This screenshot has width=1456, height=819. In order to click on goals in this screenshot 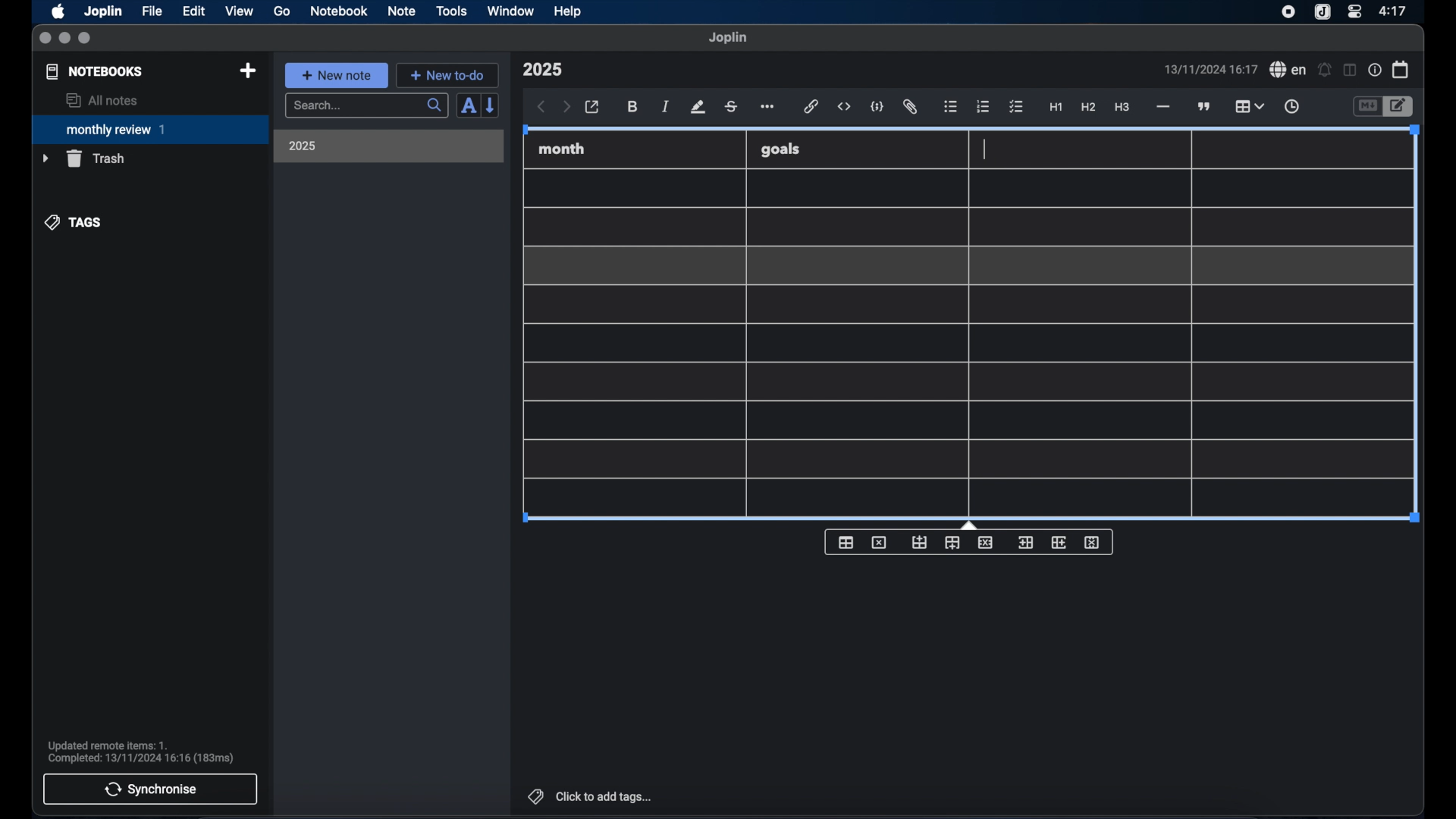, I will do `click(780, 149)`.